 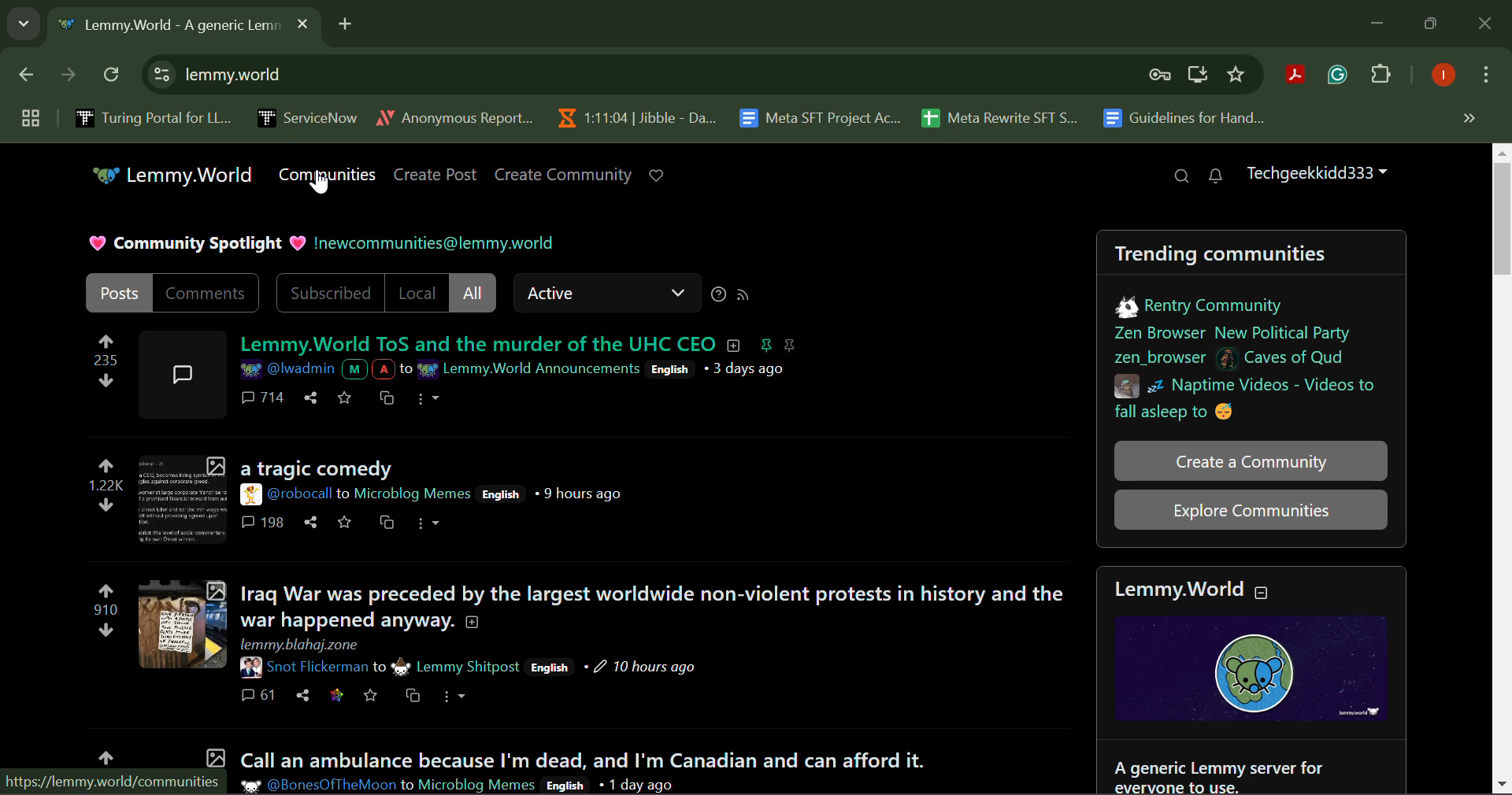 I want to click on Create Community, so click(x=564, y=176).